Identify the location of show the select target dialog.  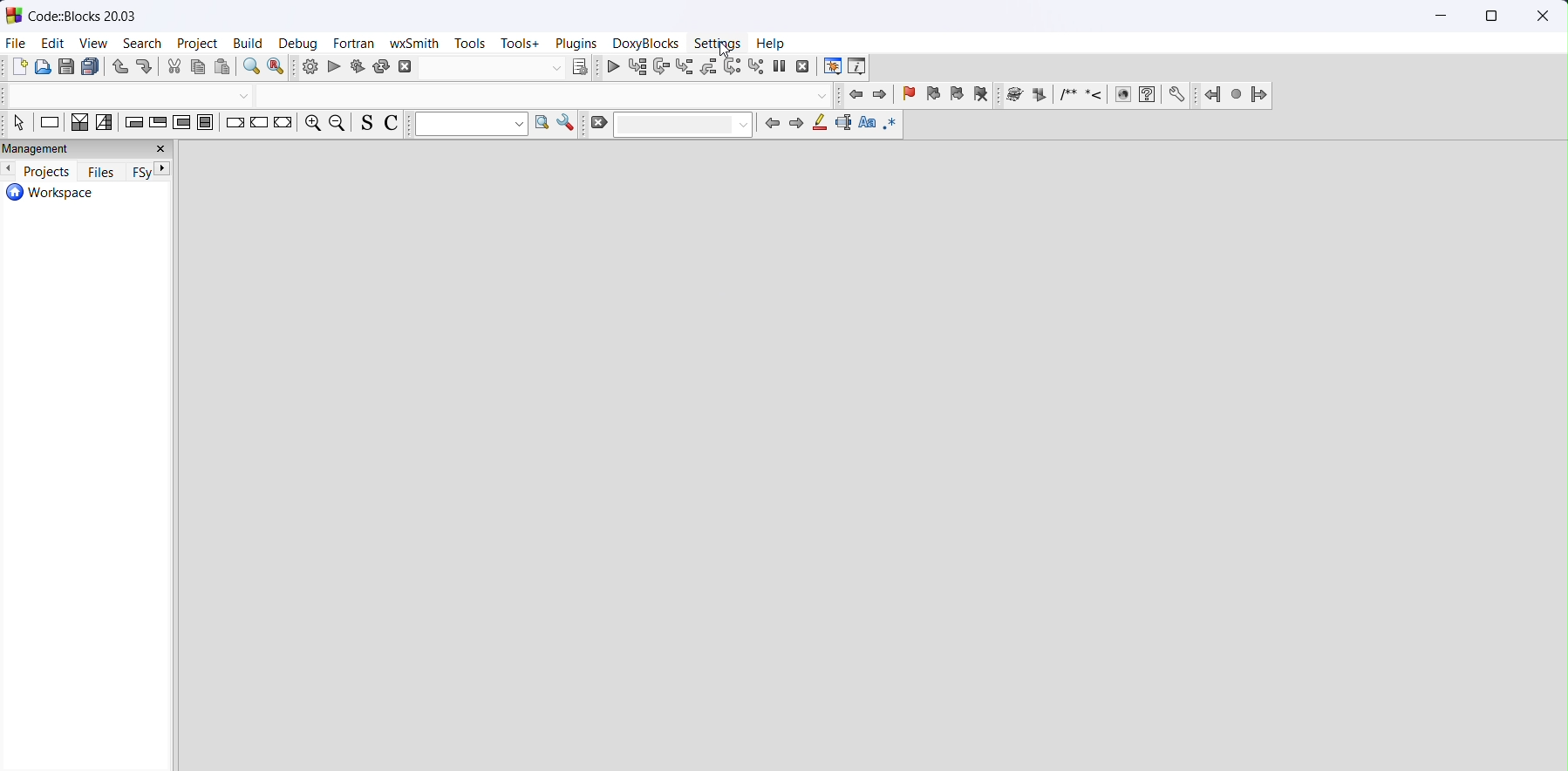
(579, 68).